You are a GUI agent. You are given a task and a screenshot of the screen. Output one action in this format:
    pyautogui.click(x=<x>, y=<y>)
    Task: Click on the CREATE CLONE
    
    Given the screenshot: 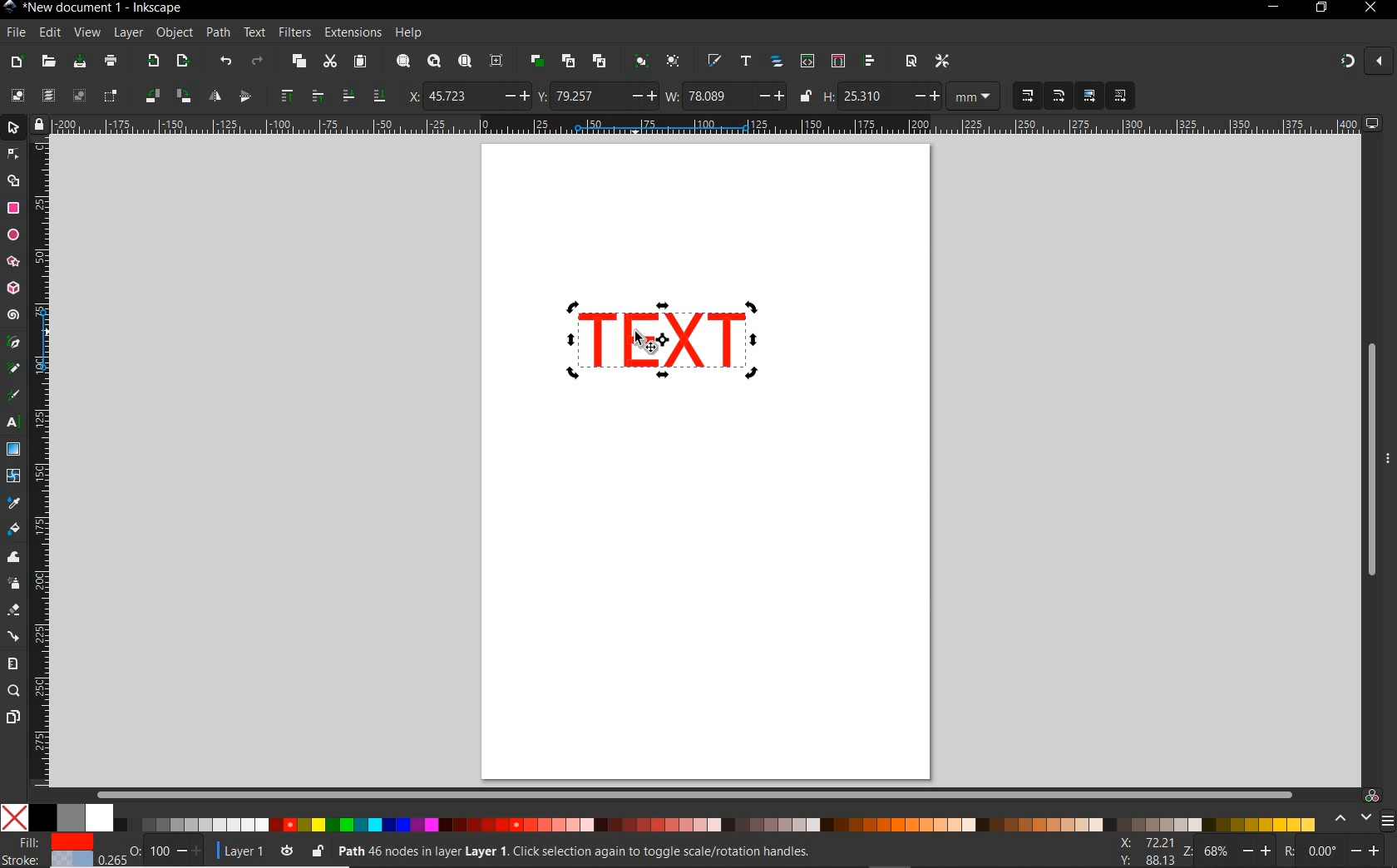 What is the action you would take?
    pyautogui.click(x=568, y=60)
    